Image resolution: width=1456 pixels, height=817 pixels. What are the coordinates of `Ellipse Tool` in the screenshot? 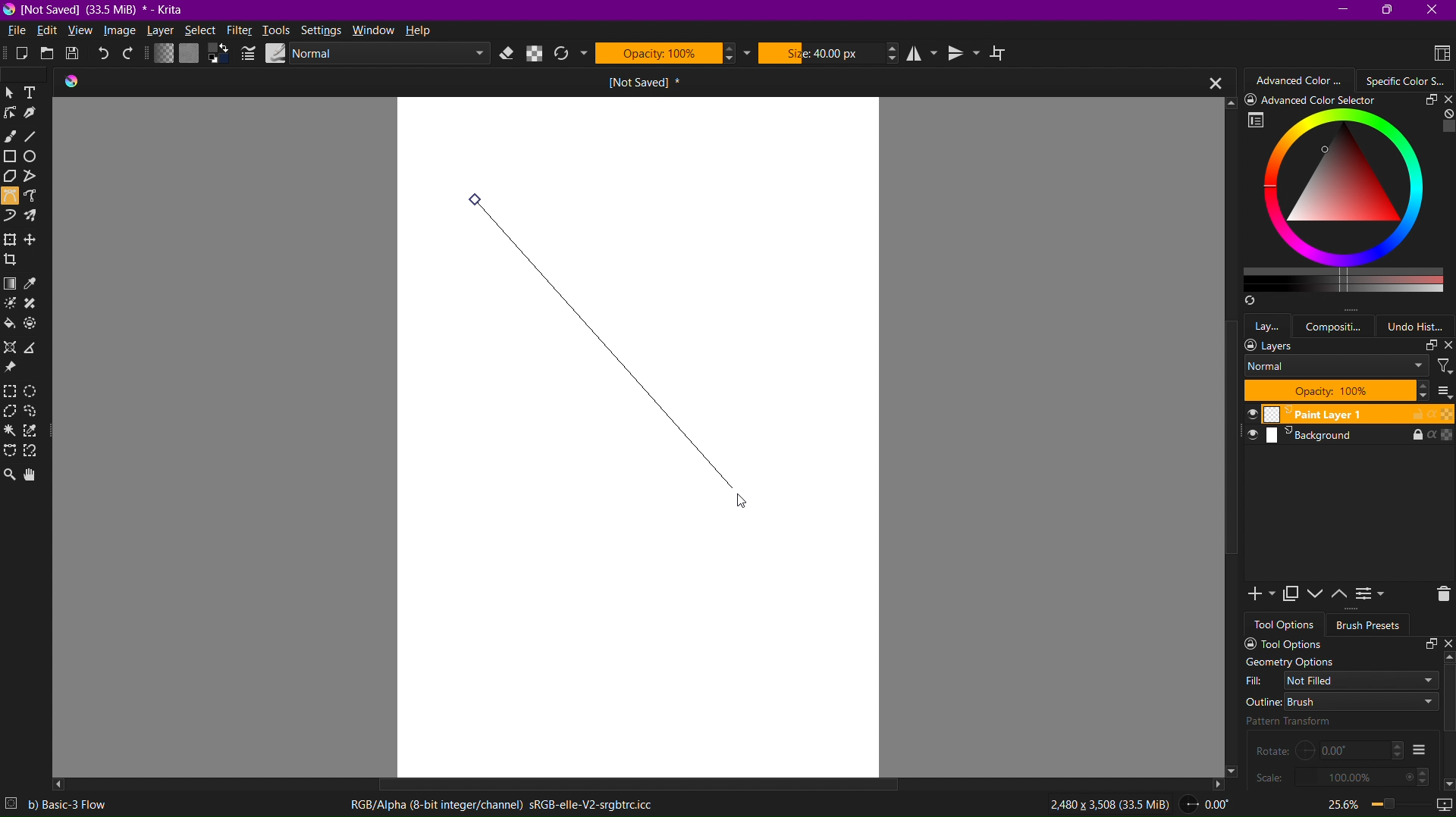 It's located at (37, 159).